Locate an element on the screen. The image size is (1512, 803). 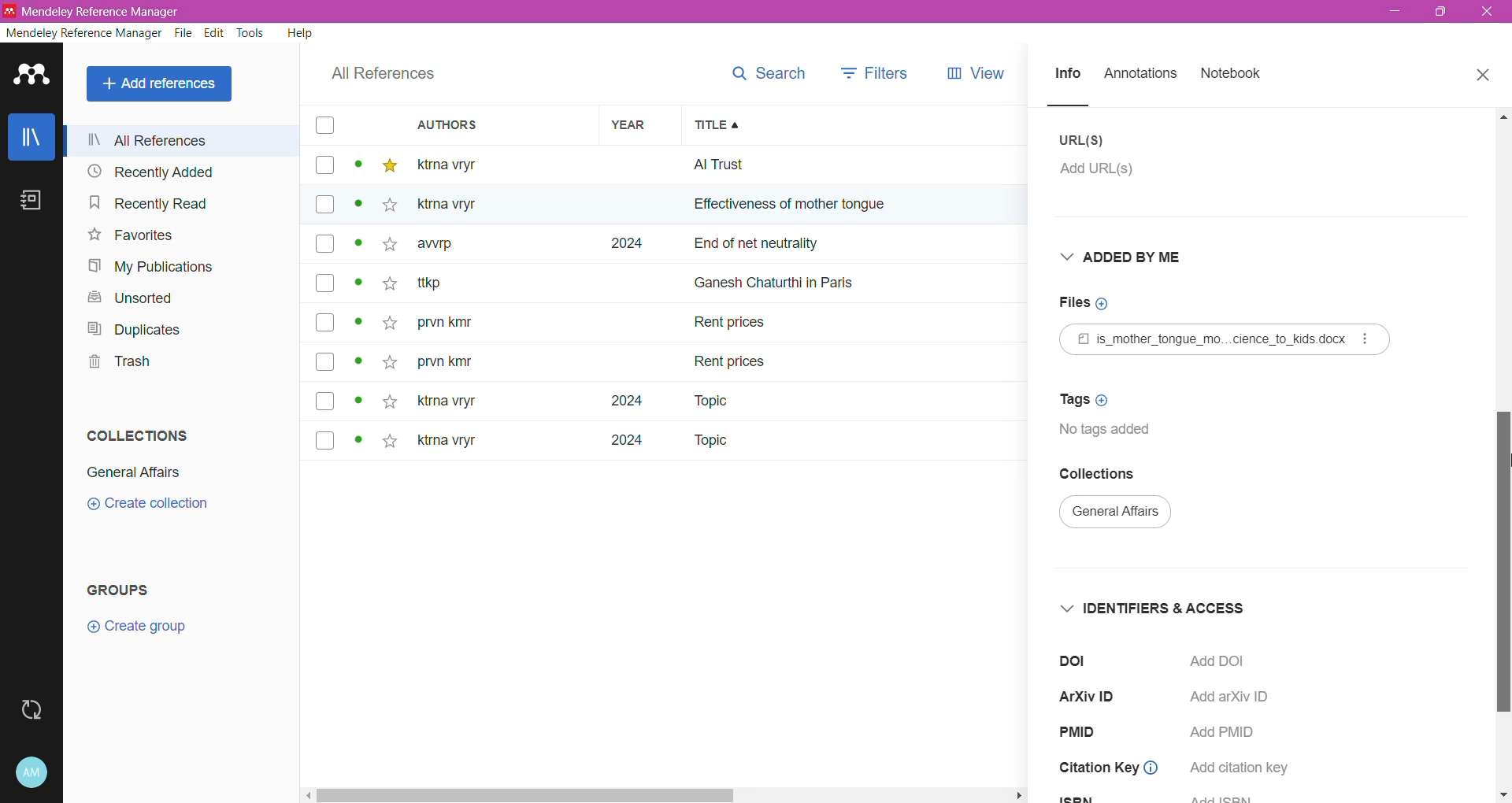
filters  is located at coordinates (875, 72).